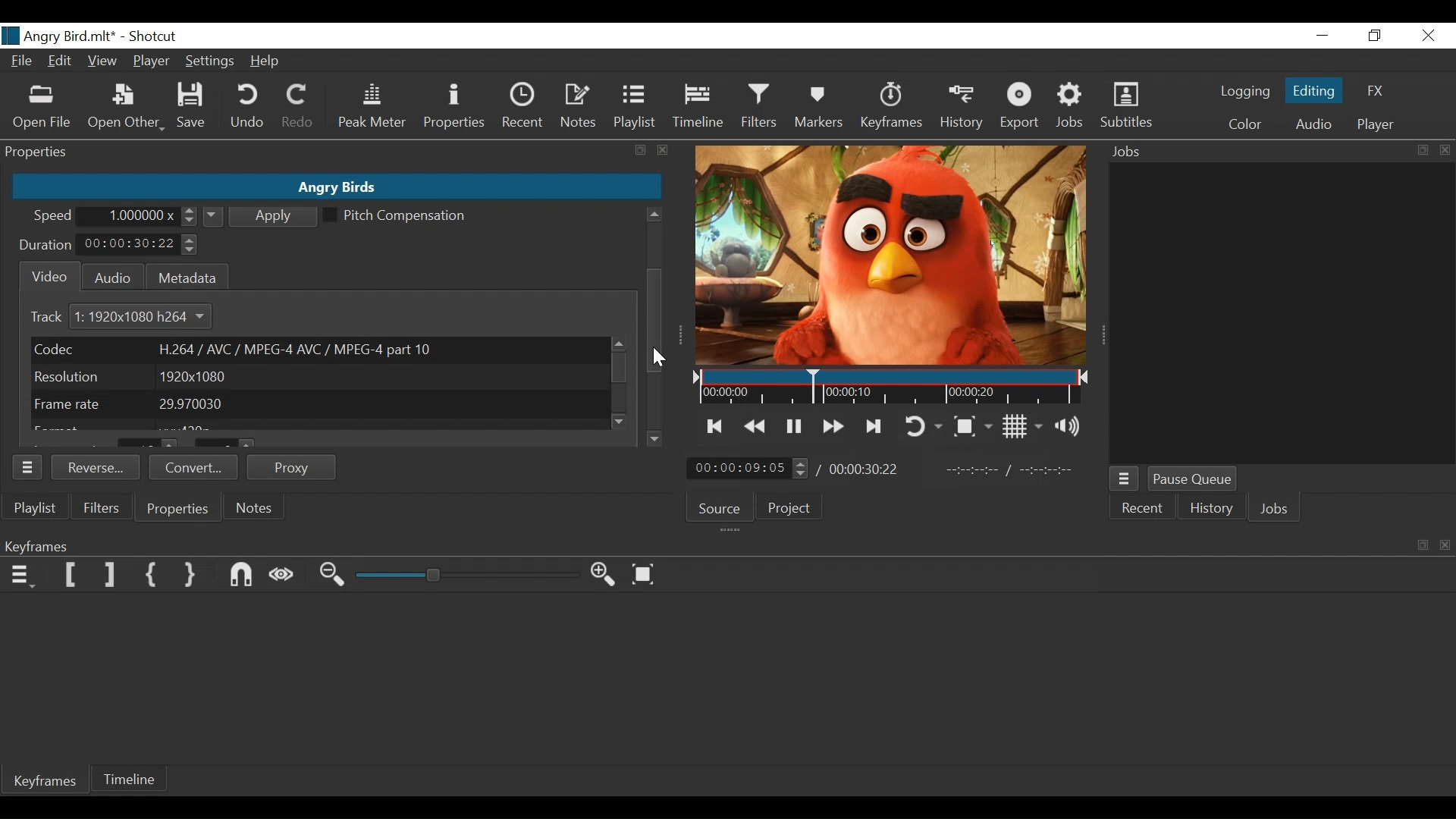 This screenshot has width=1456, height=819. Describe the element at coordinates (54, 218) in the screenshot. I see `Speed` at that location.